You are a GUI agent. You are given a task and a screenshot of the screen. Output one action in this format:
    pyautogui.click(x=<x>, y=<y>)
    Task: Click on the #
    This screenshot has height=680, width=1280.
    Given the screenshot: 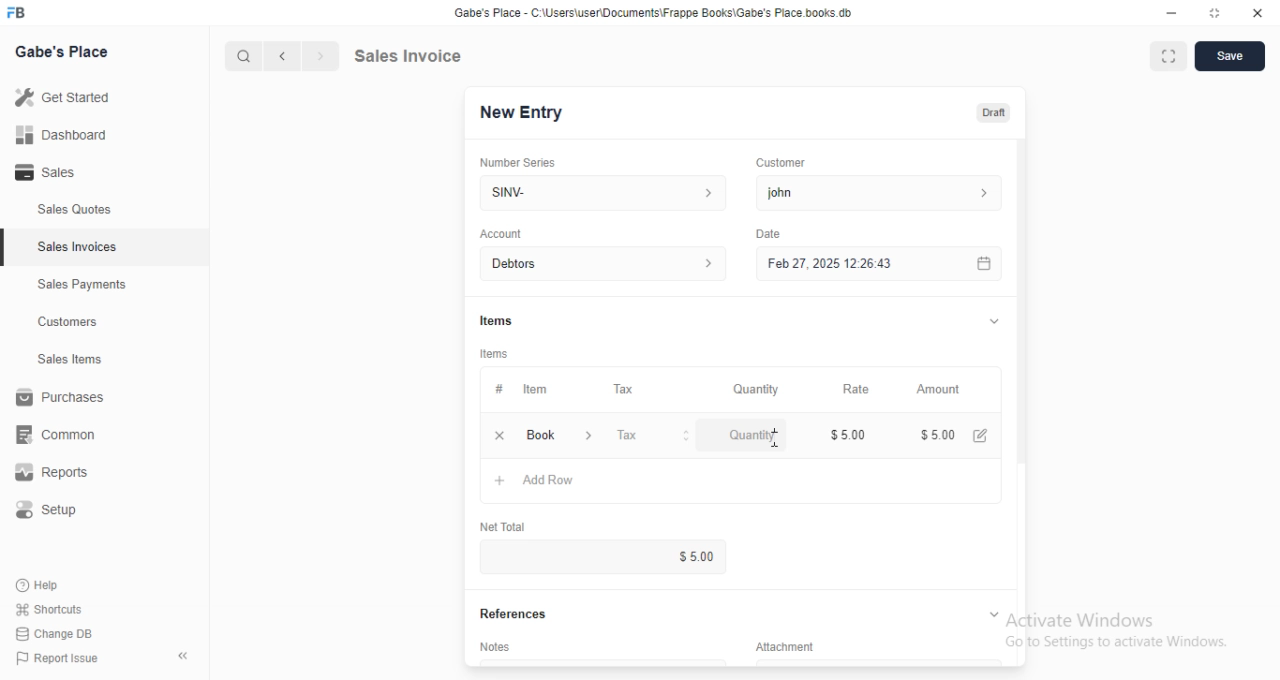 What is the action you would take?
    pyautogui.click(x=495, y=388)
    